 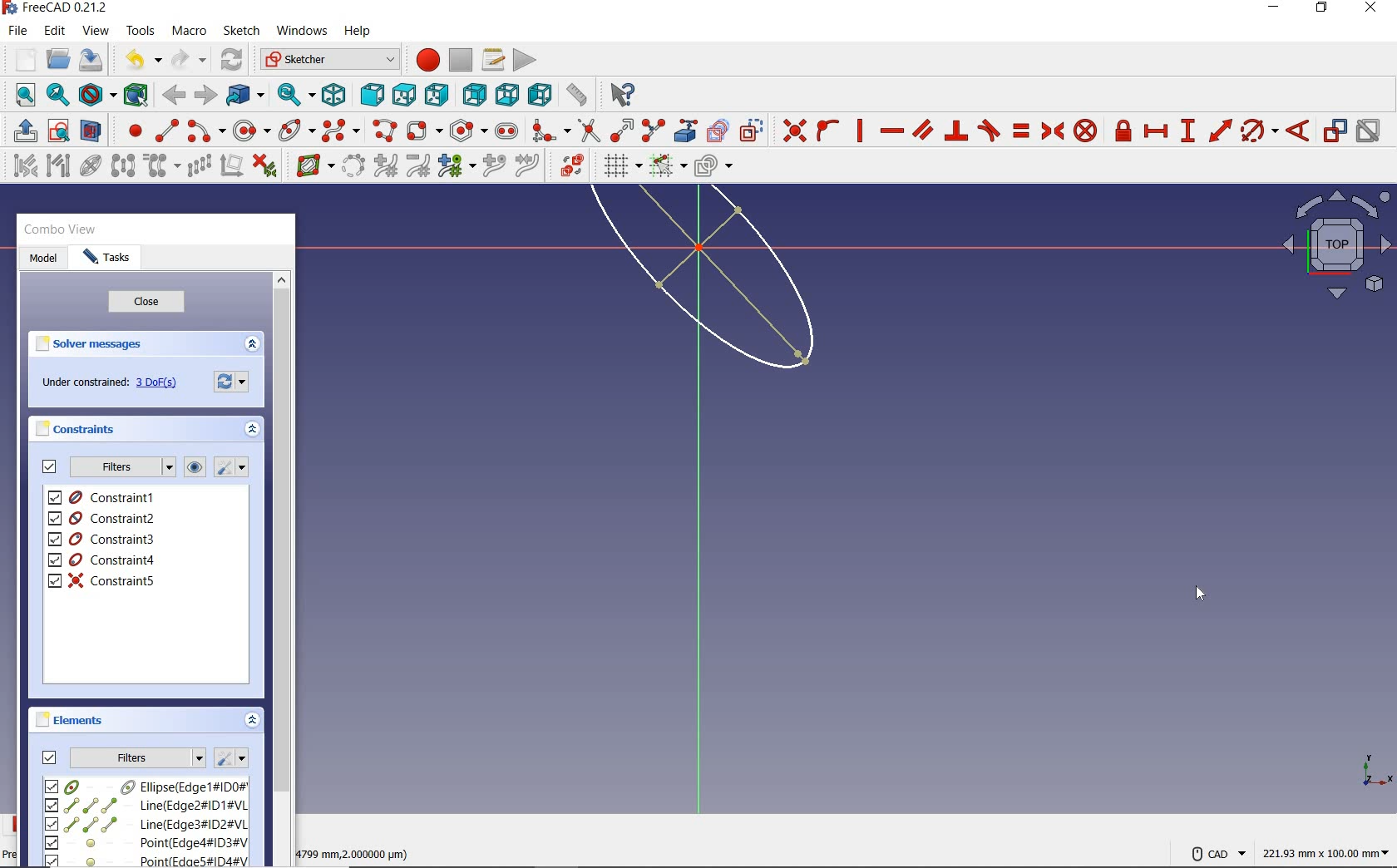 I want to click on element5, so click(x=147, y=860).